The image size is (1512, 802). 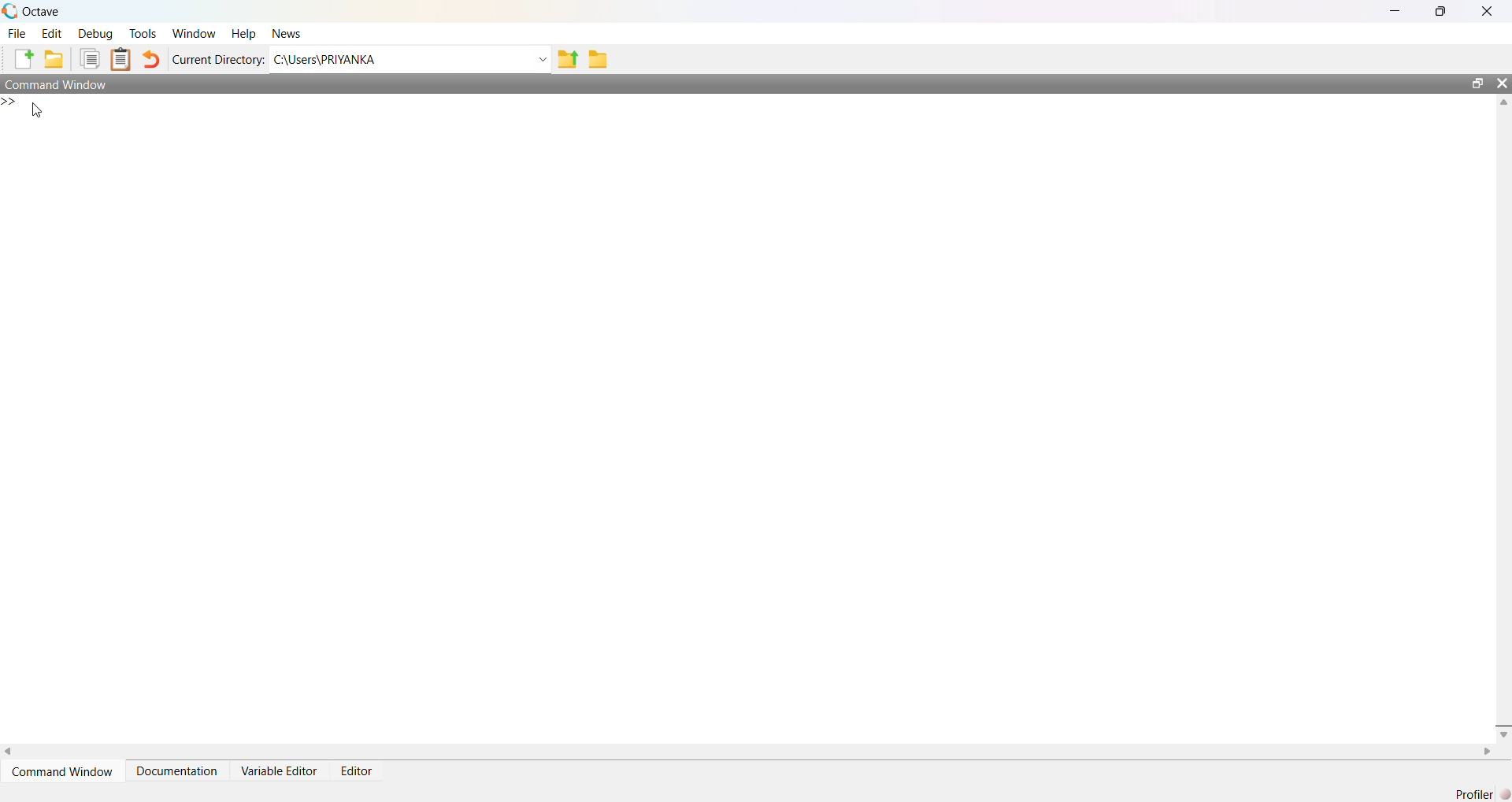 What do you see at coordinates (94, 34) in the screenshot?
I see `debug` at bounding box center [94, 34].